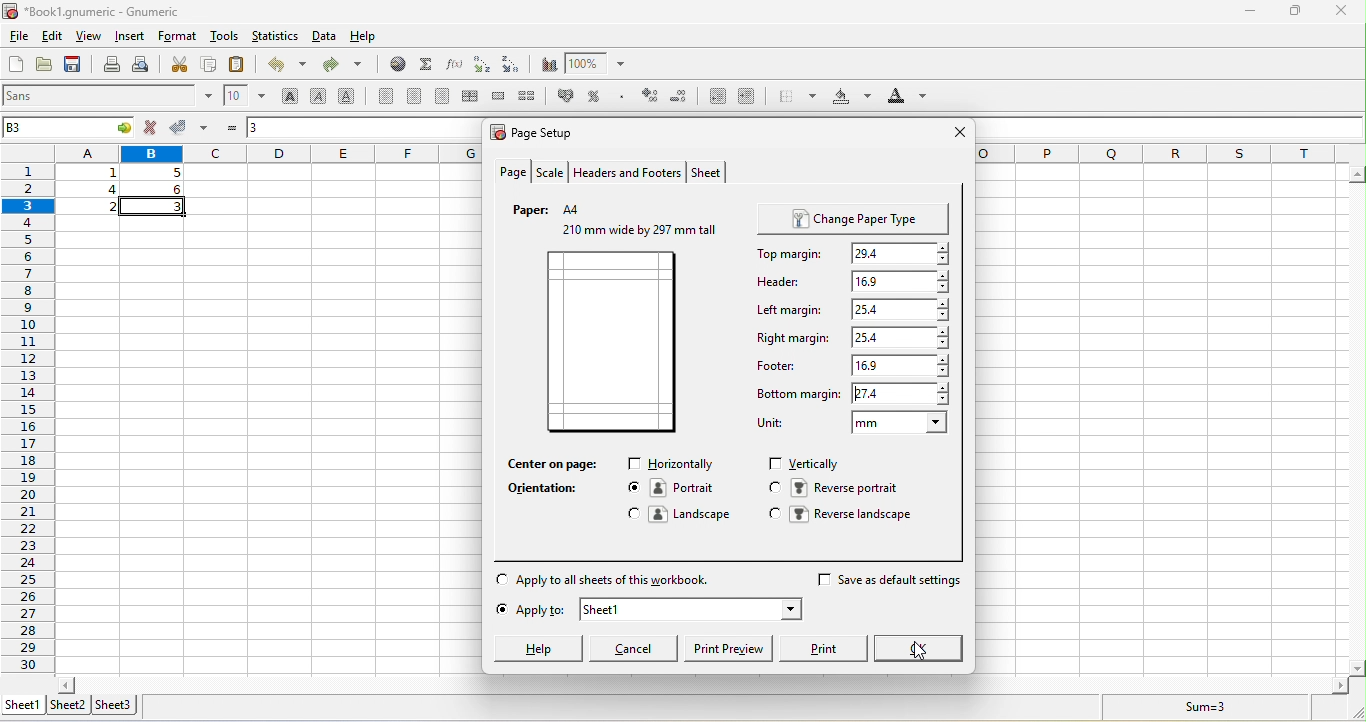 This screenshot has width=1366, height=722. I want to click on headers and footers, so click(627, 171).